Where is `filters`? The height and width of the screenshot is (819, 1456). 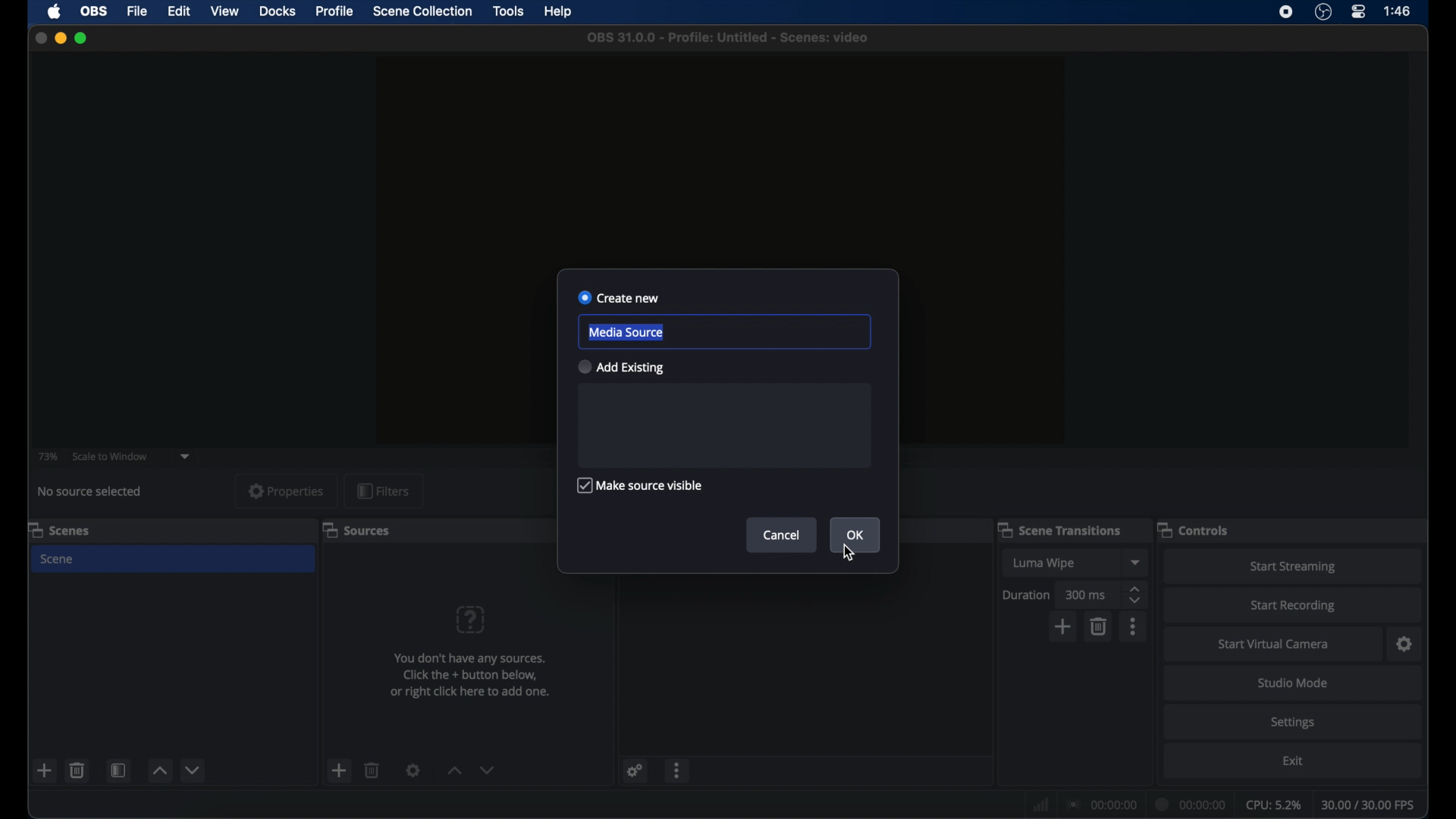
filters is located at coordinates (384, 491).